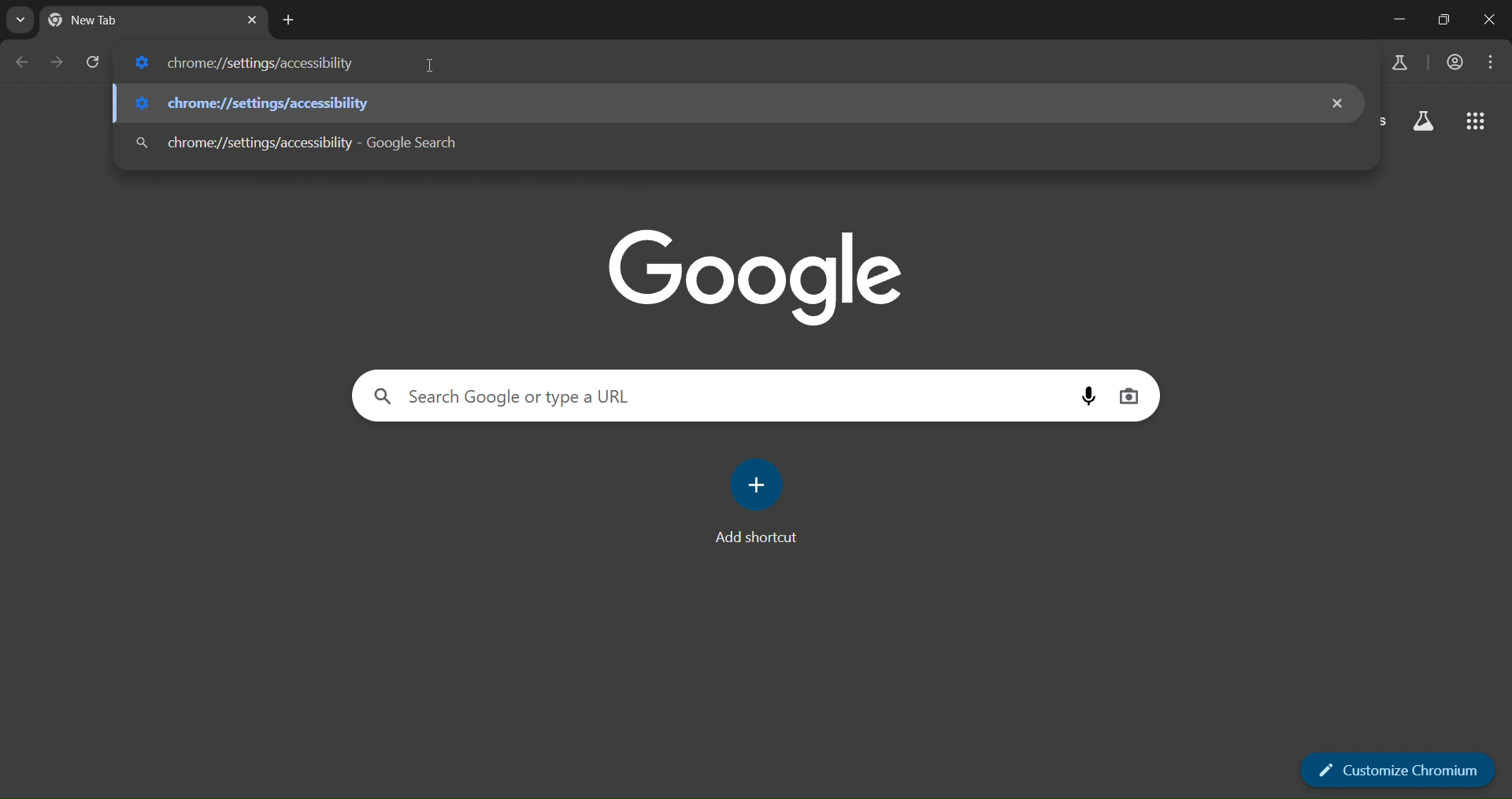 Image resolution: width=1512 pixels, height=799 pixels. Describe the element at coordinates (254, 61) in the screenshot. I see `chrome://settings/accesibility` at that location.